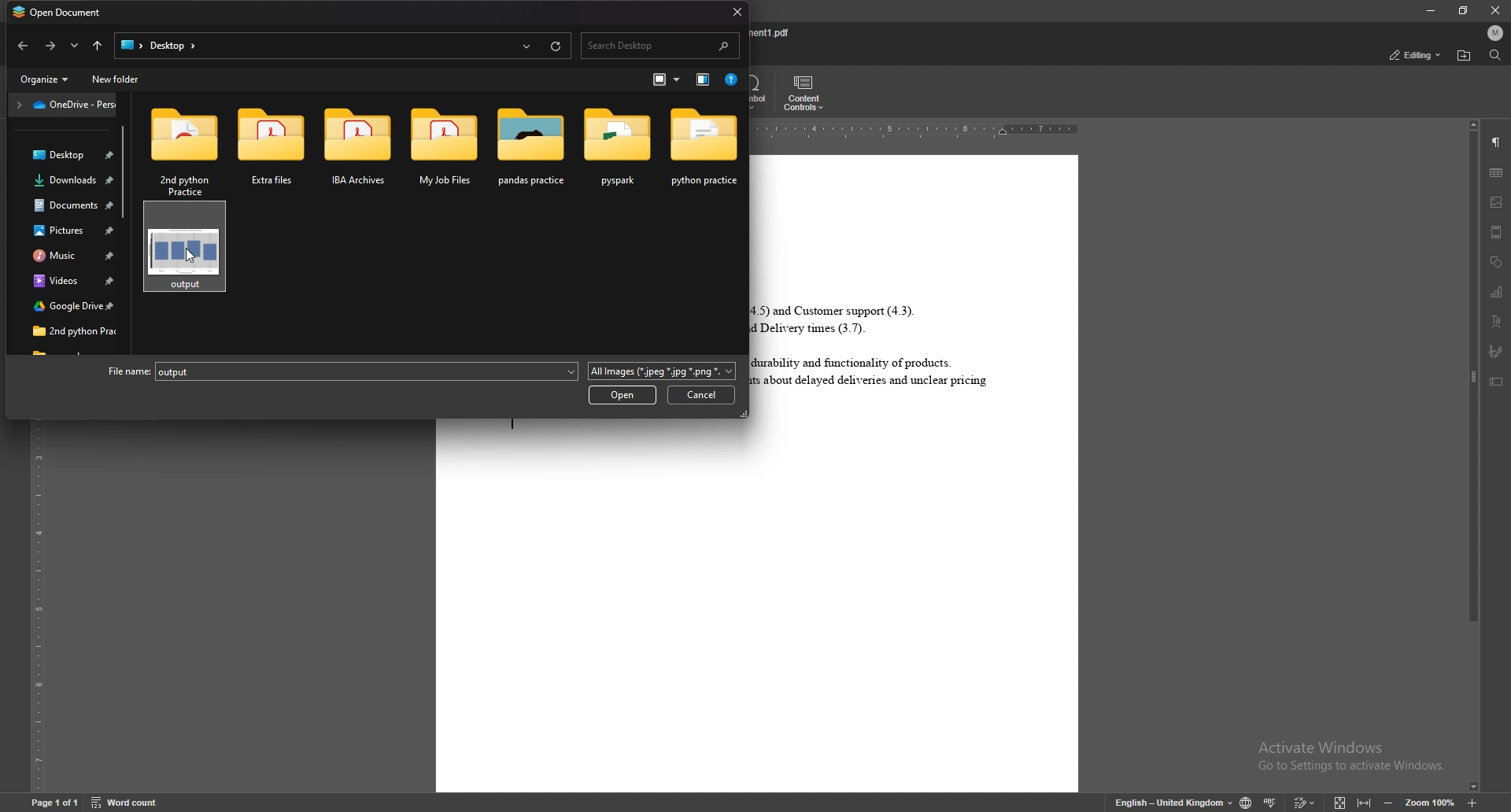  Describe the element at coordinates (1305, 802) in the screenshot. I see `track changes` at that location.